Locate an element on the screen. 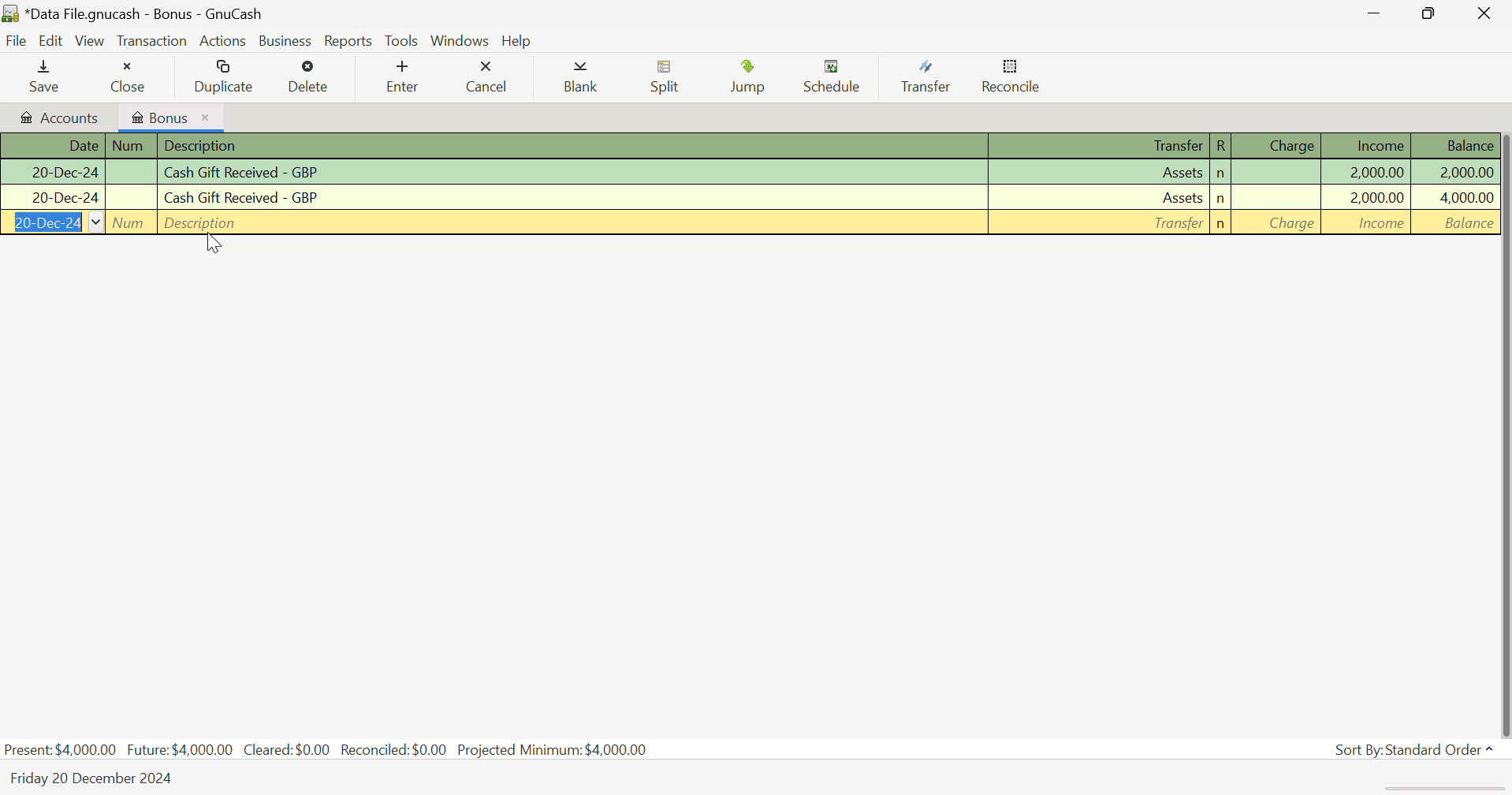 The width and height of the screenshot is (1512, 795). View is located at coordinates (91, 39).